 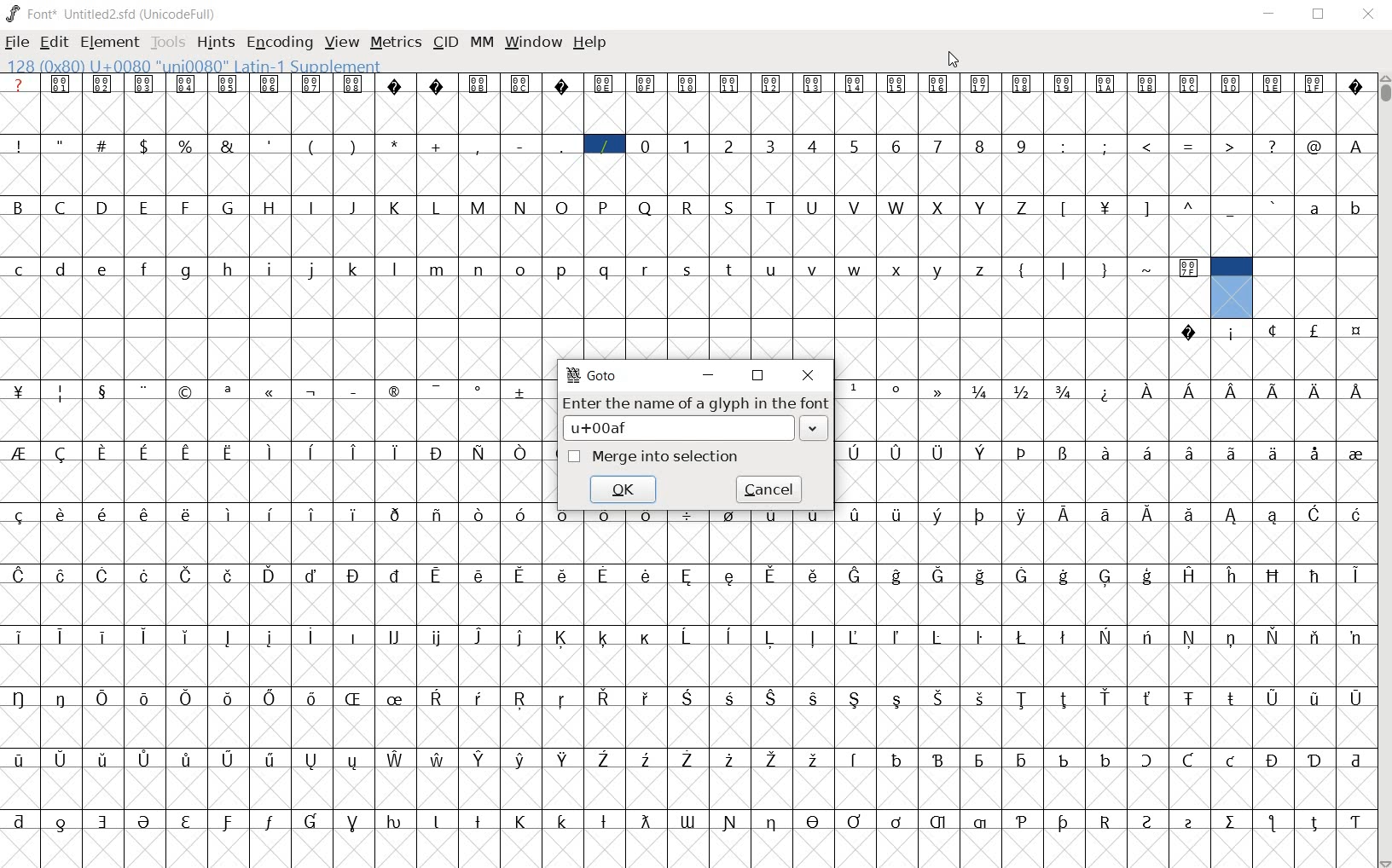 I want to click on Symbol, so click(x=481, y=758).